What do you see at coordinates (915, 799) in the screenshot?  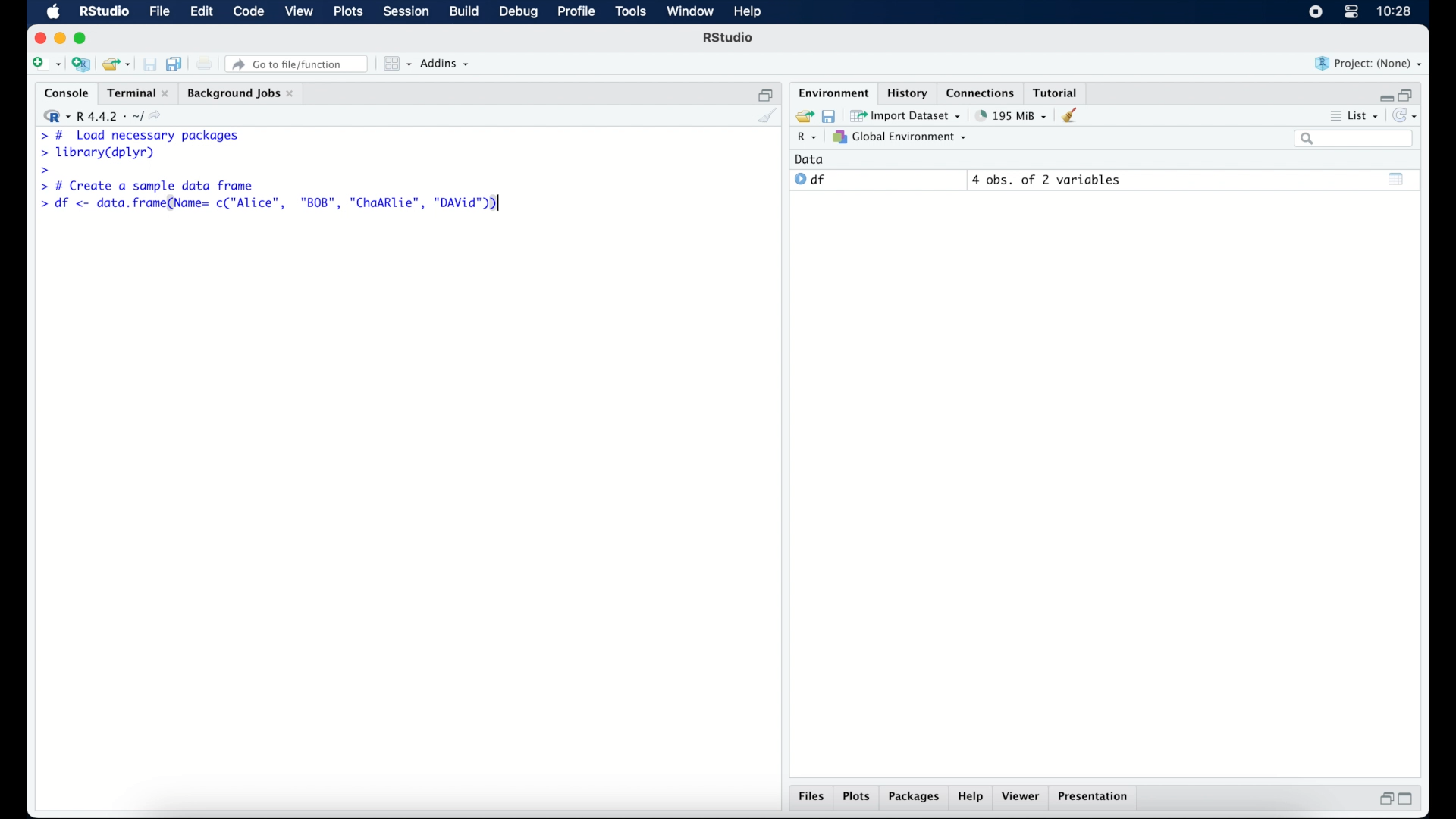 I see `packages` at bounding box center [915, 799].